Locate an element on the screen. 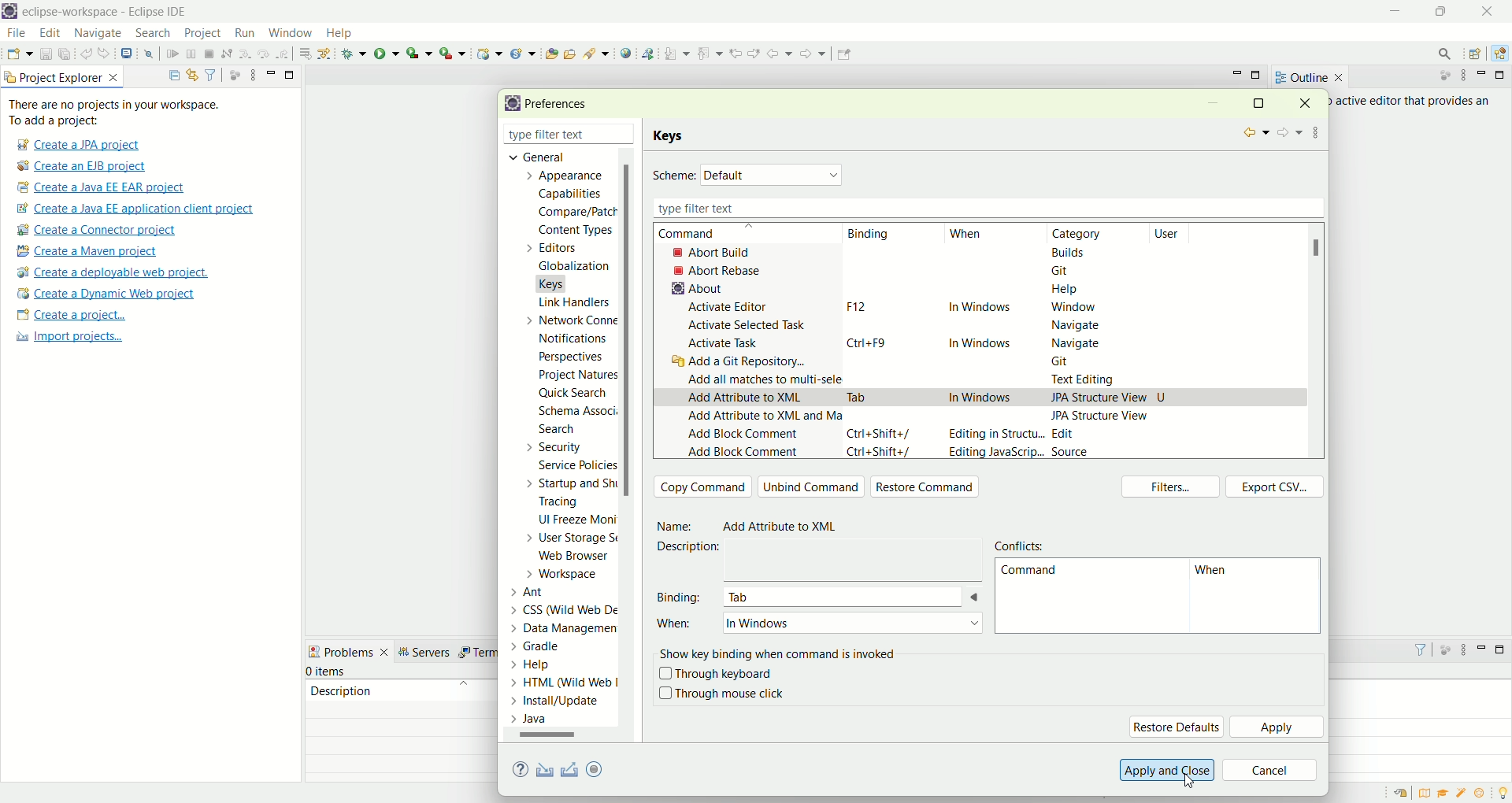 The height and width of the screenshot is (803, 1512). save all is located at coordinates (65, 54).